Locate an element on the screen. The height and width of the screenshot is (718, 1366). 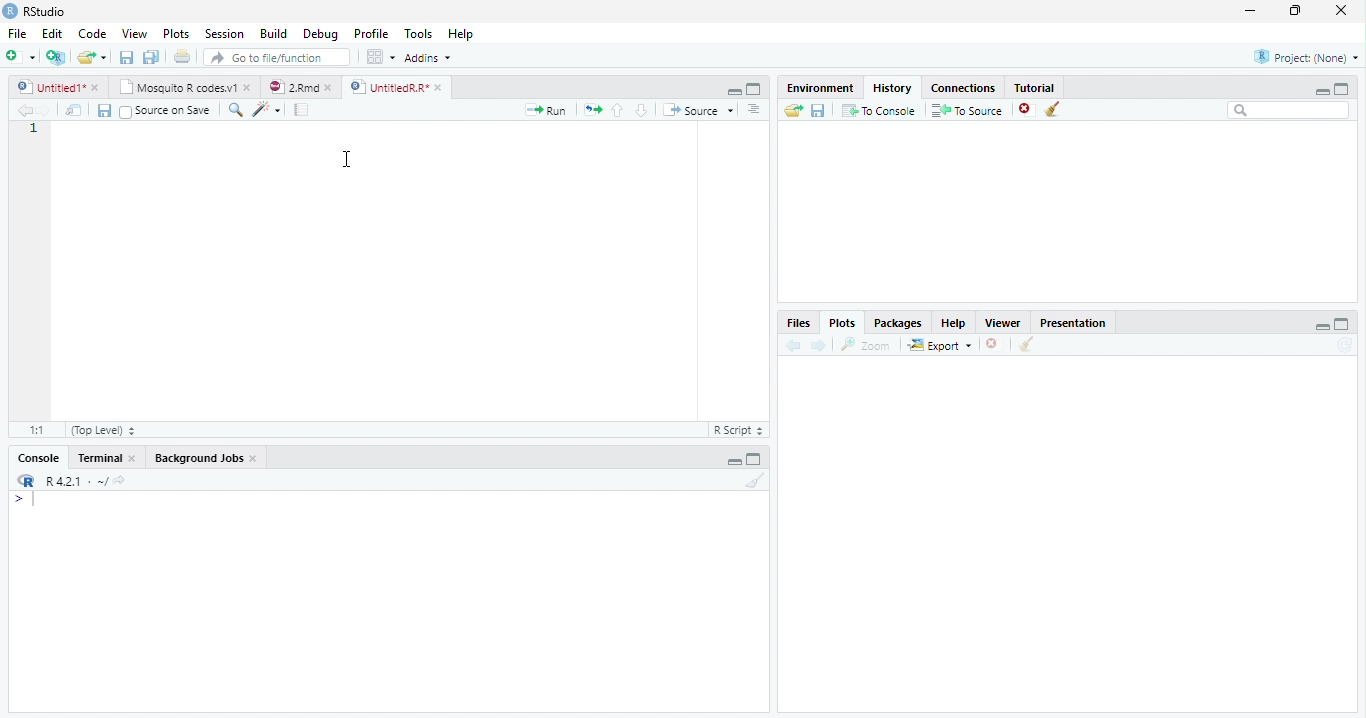
Re-run is located at coordinates (591, 110).